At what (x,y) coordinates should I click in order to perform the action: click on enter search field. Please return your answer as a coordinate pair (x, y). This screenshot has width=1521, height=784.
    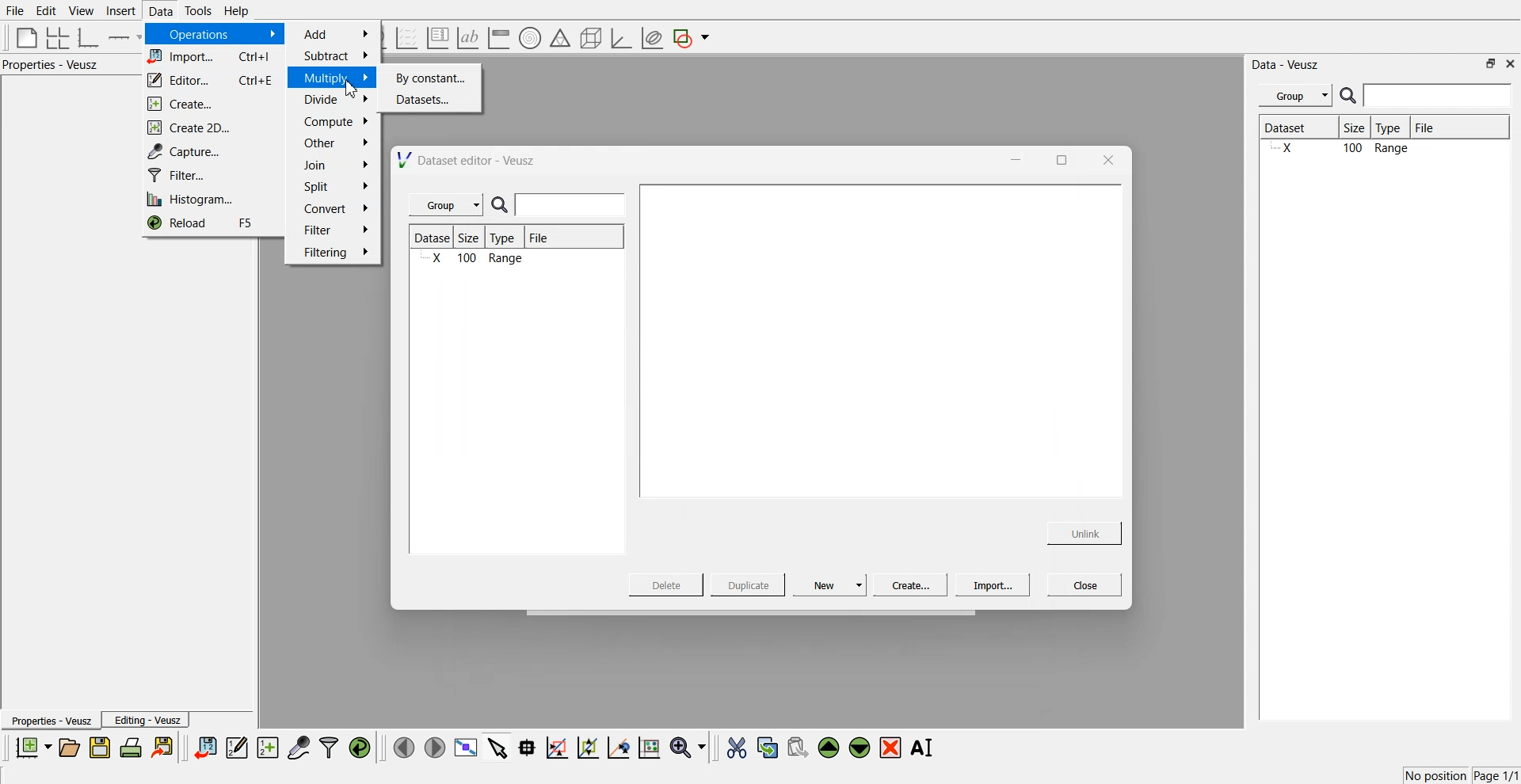
    Looking at the image, I should click on (573, 205).